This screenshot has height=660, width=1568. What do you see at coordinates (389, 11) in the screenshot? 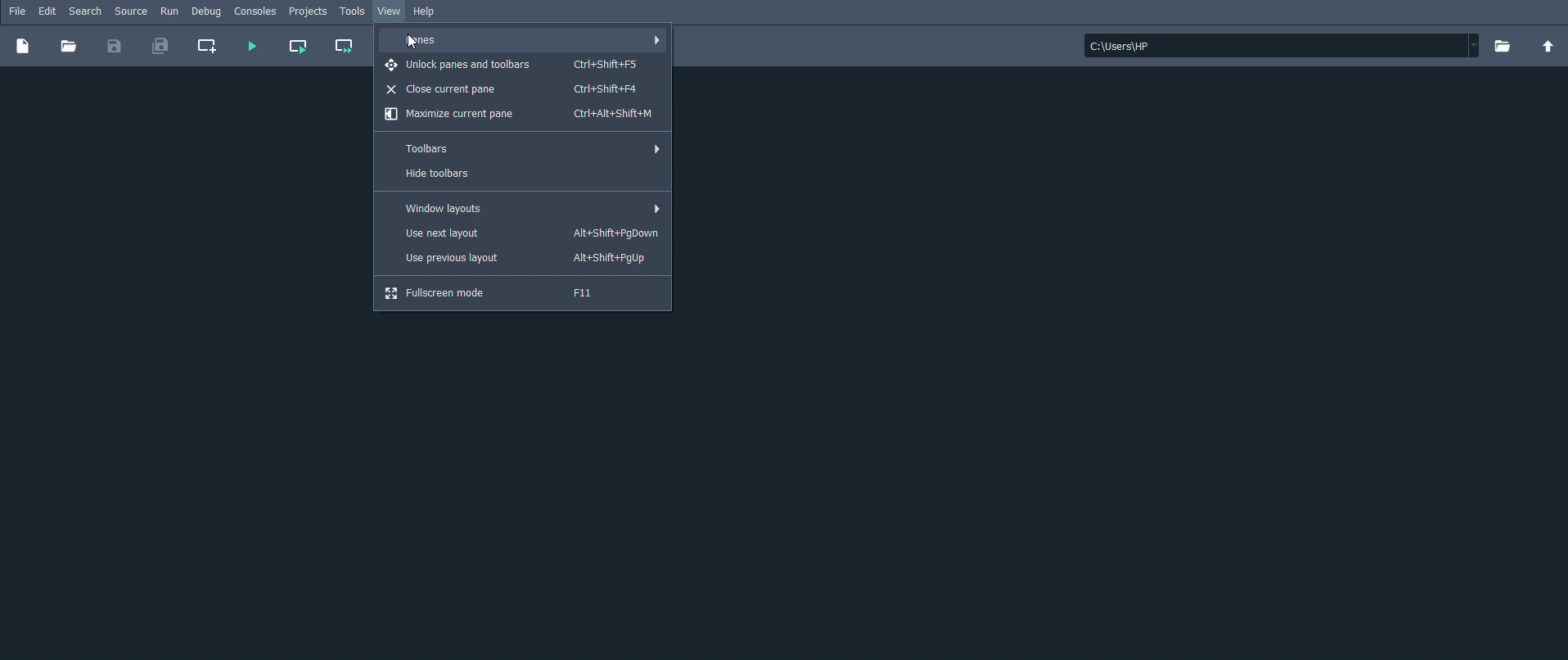
I see `View` at bounding box center [389, 11].